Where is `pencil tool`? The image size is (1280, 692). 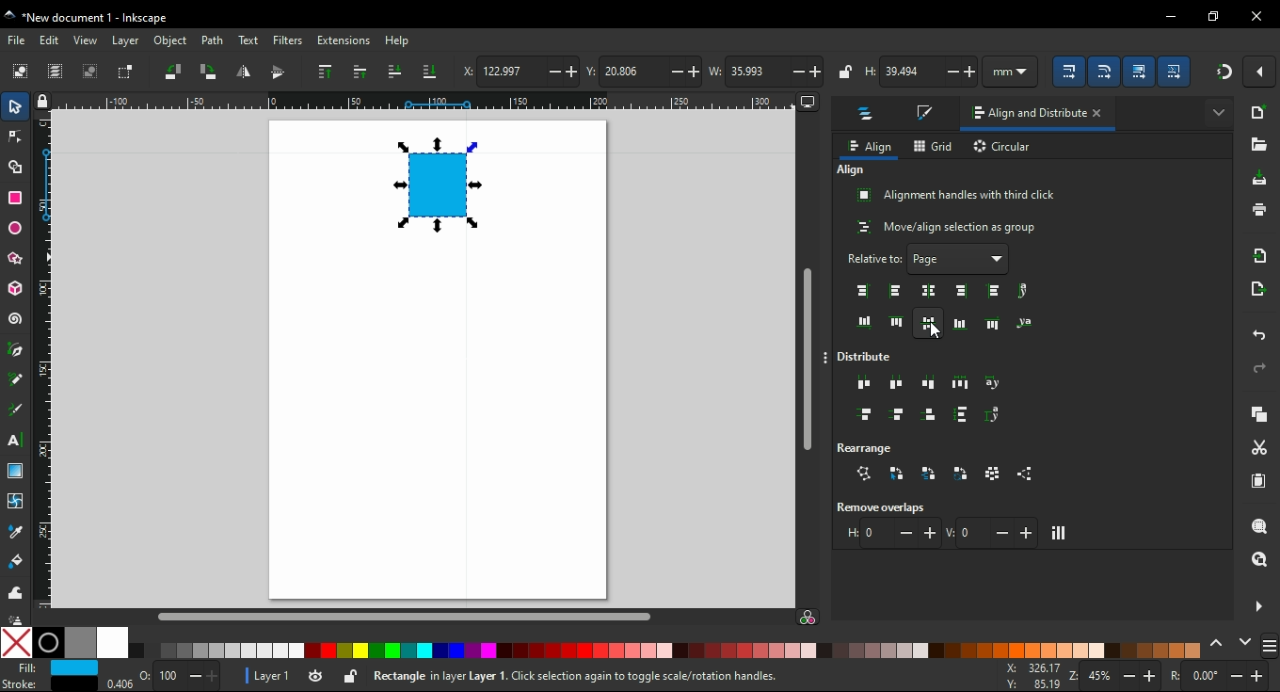 pencil tool is located at coordinates (16, 380).